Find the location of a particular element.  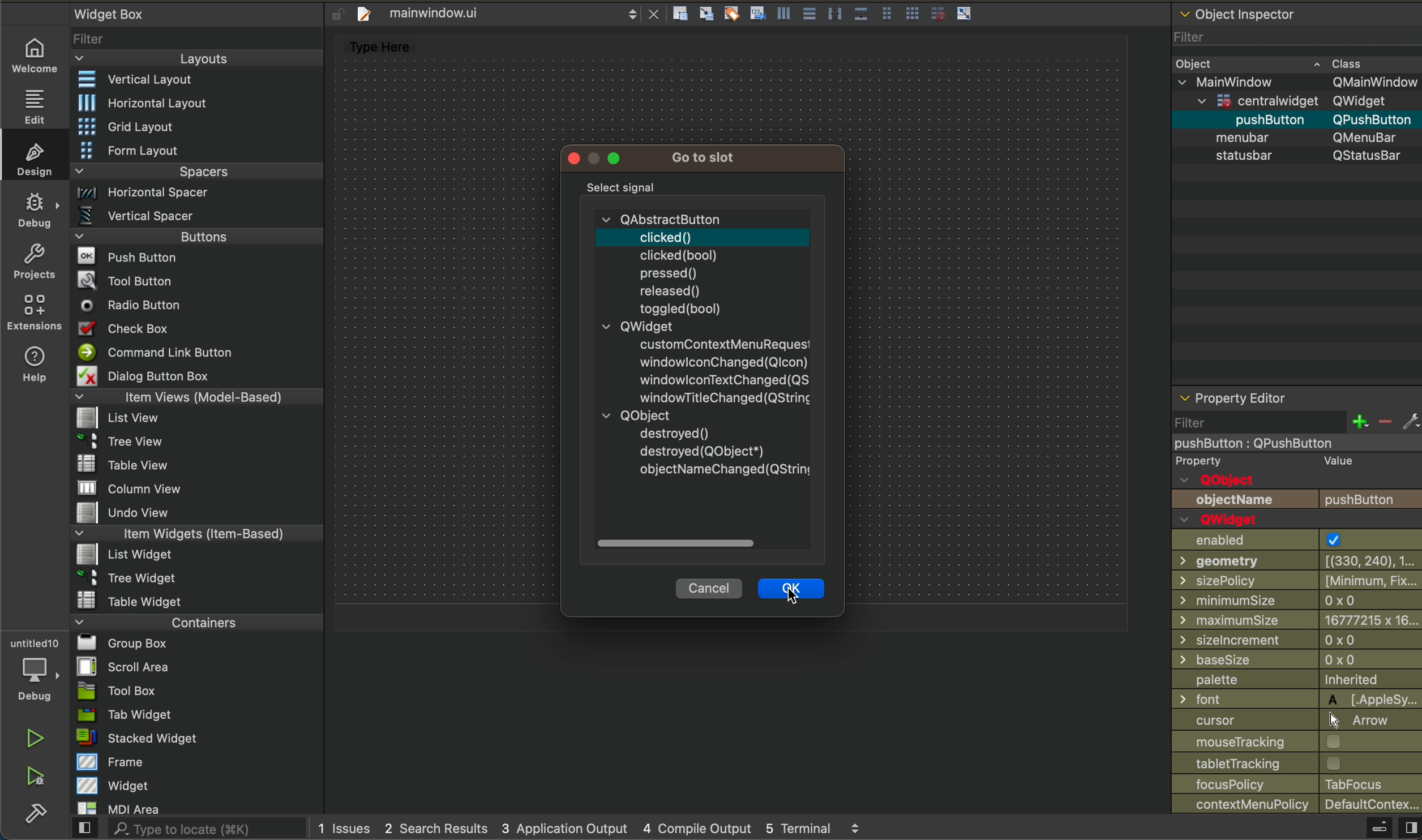

form layout is located at coordinates (196, 150).